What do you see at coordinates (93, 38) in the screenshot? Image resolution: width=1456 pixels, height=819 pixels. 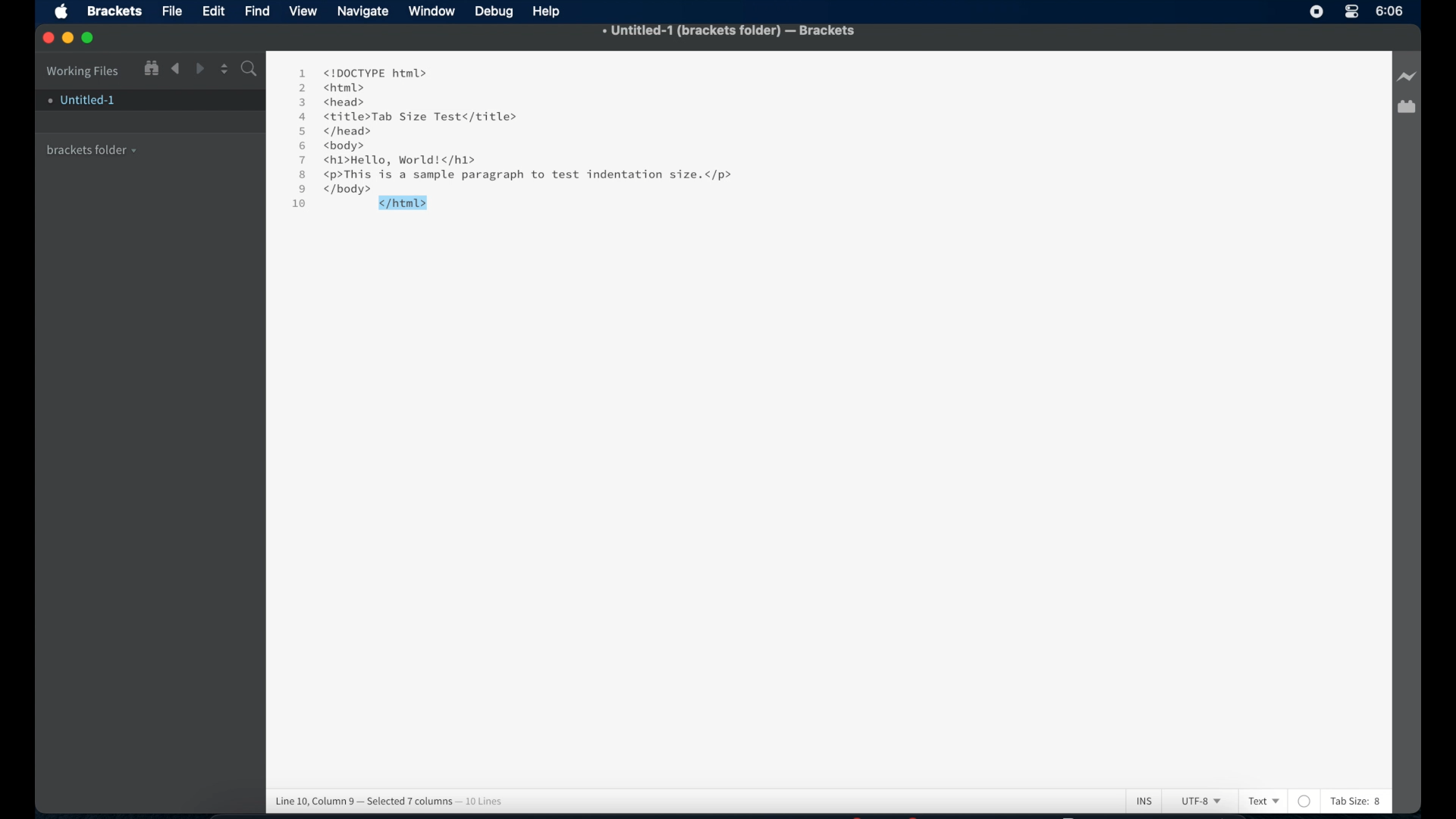 I see `Maximize` at bounding box center [93, 38].